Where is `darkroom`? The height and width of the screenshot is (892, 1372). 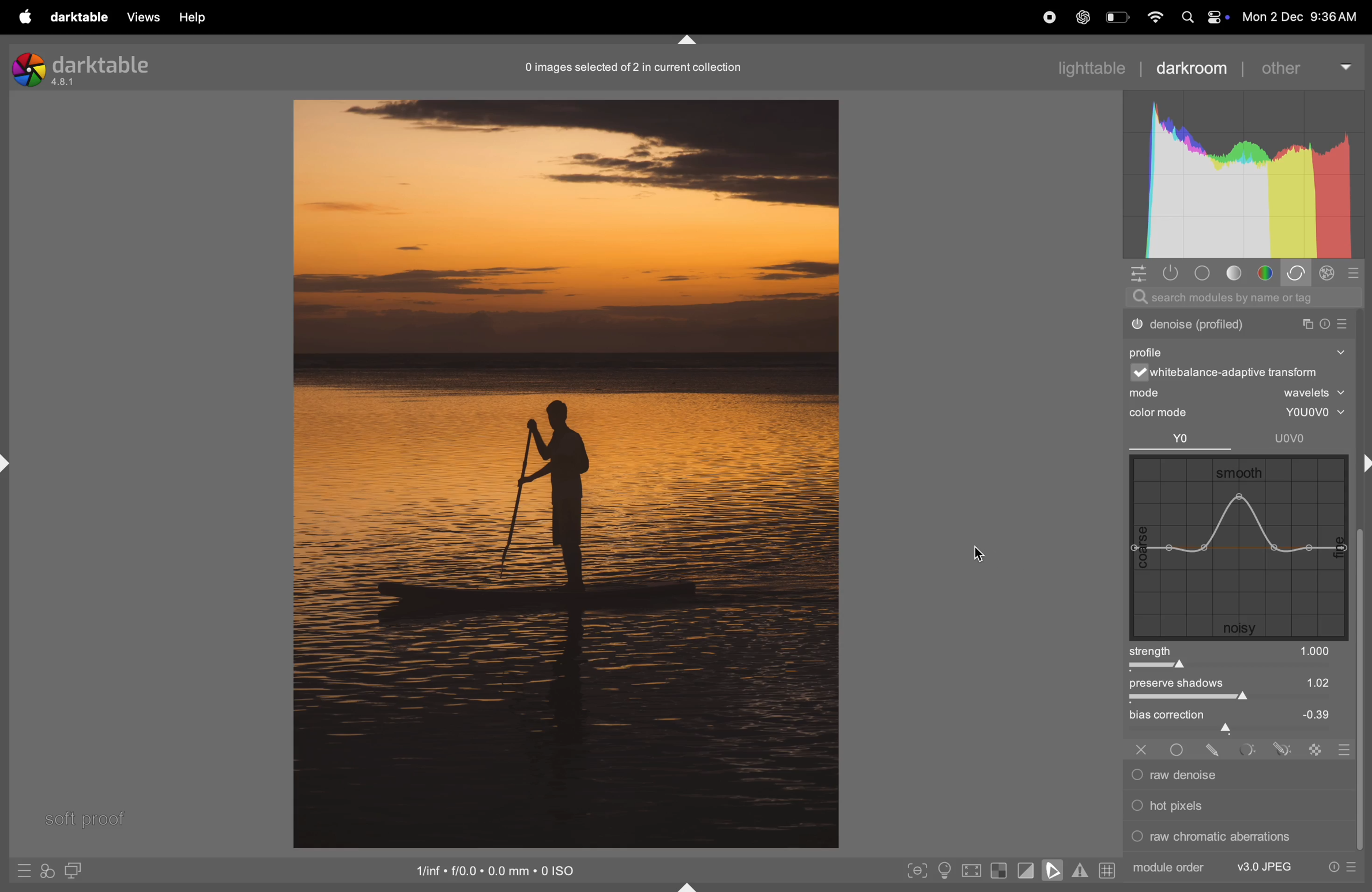 darkroom is located at coordinates (1199, 66).